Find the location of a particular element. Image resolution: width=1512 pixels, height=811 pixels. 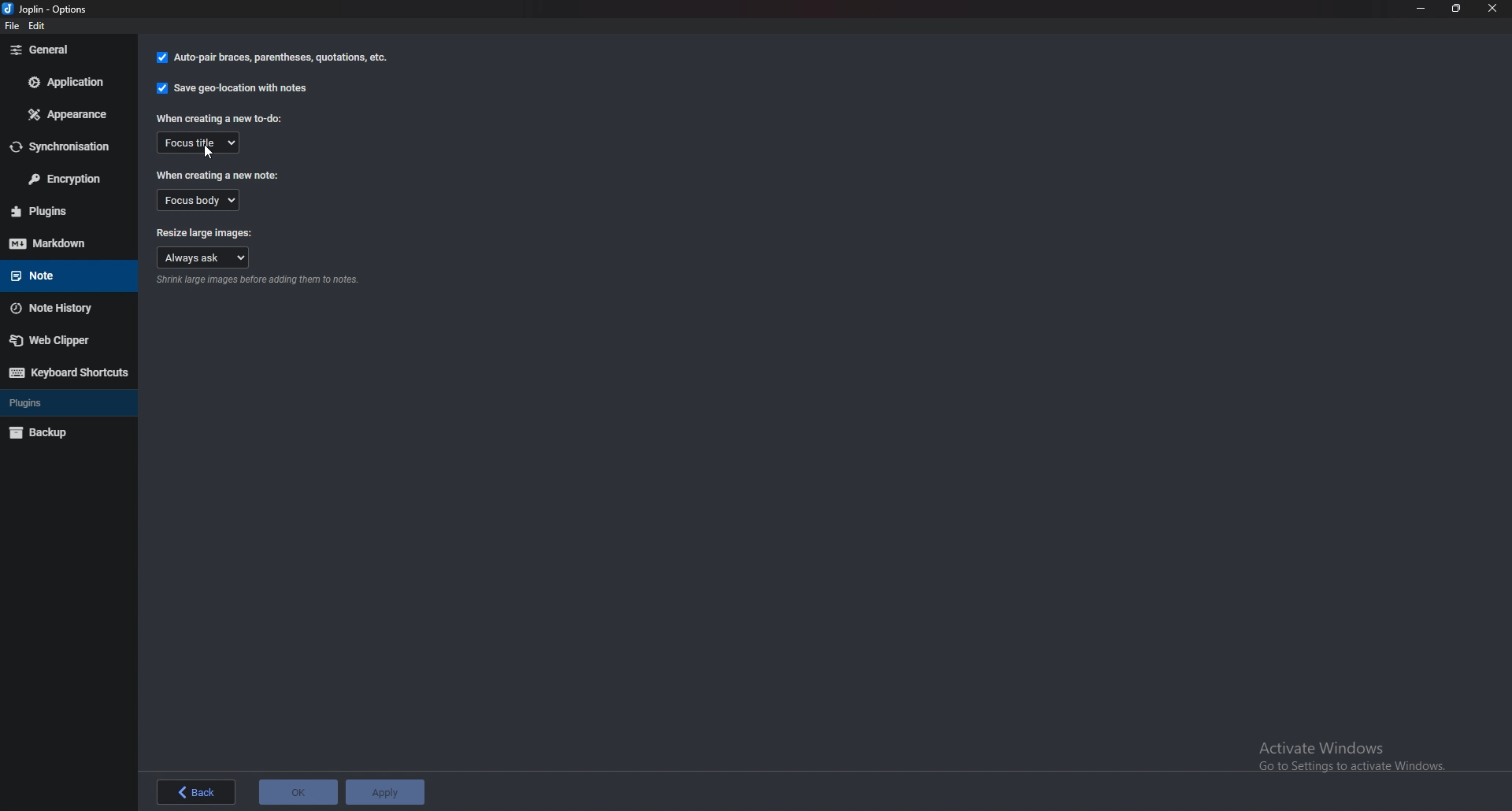

mark down is located at coordinates (65, 243).